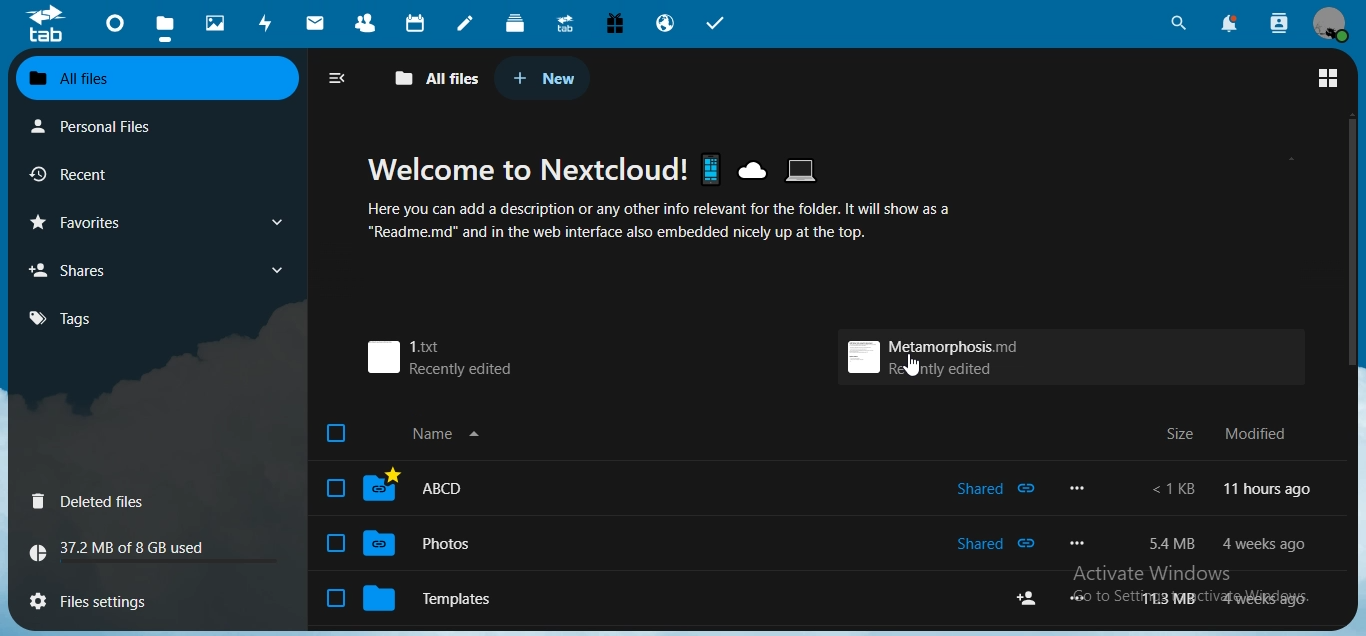 The height and width of the screenshot is (636, 1366). I want to click on search contacts, so click(1280, 22).